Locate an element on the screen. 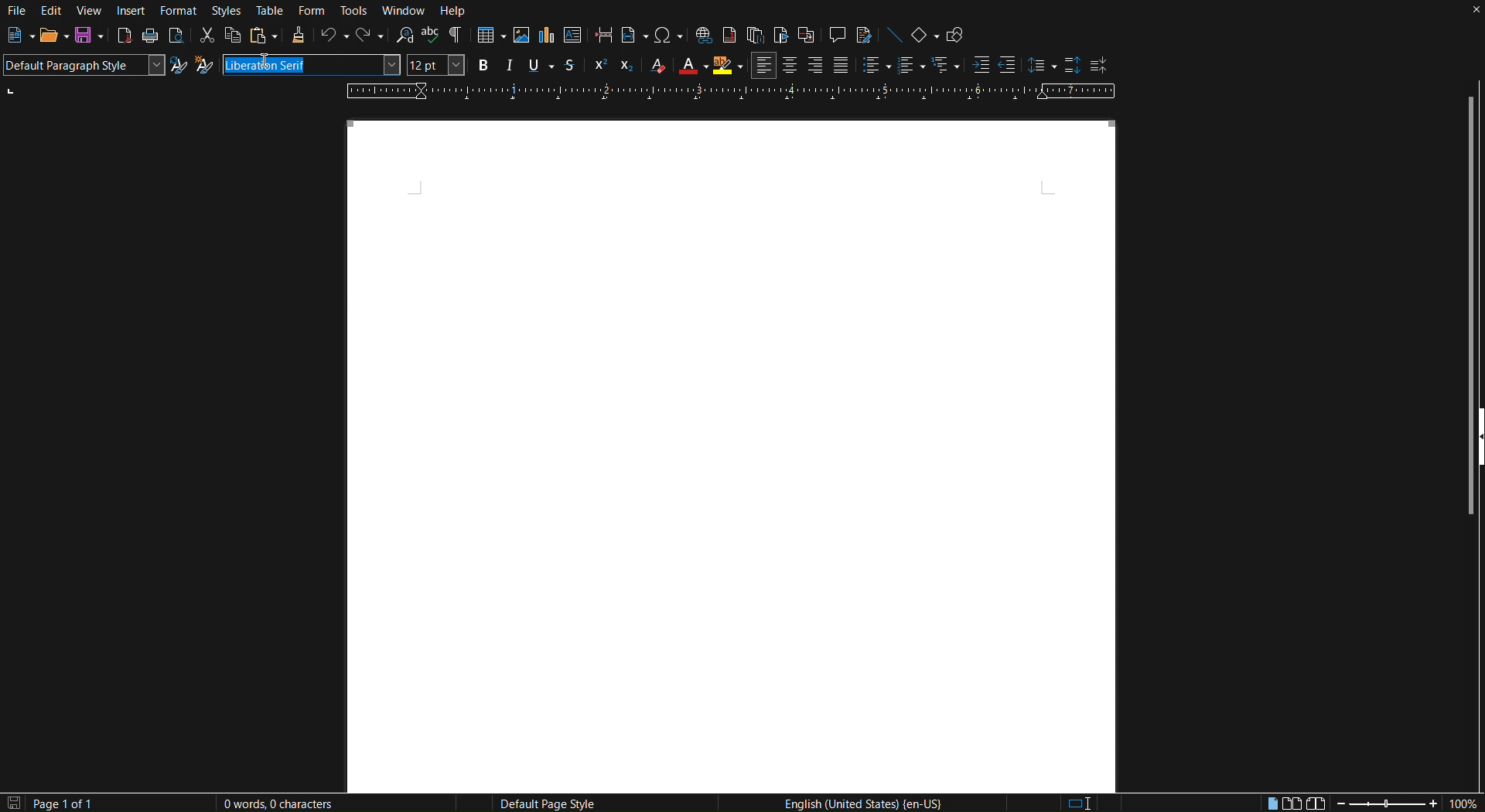 Image resolution: width=1485 pixels, height=812 pixels. New Style from Selection is located at coordinates (206, 67).